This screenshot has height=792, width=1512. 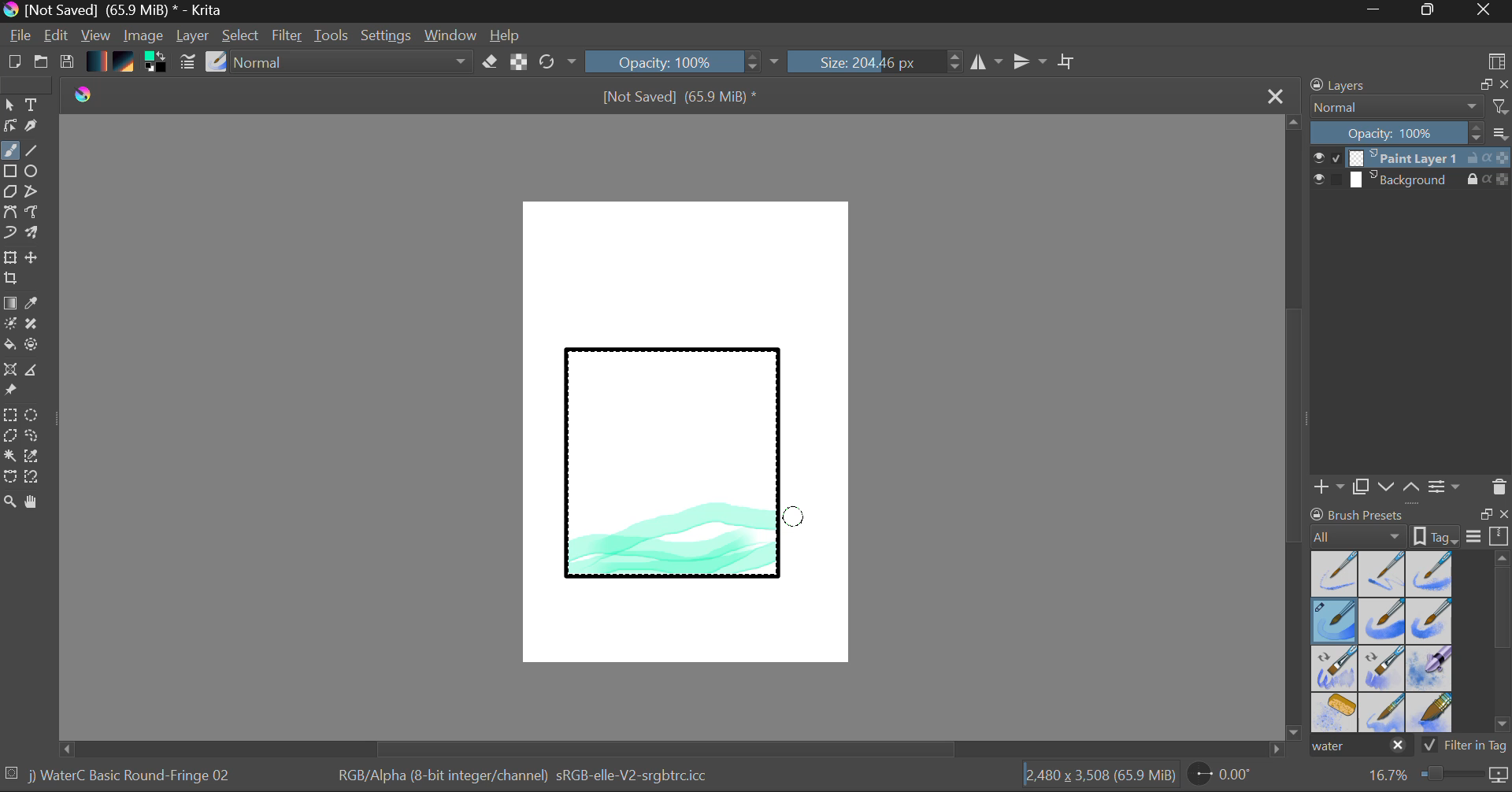 What do you see at coordinates (57, 37) in the screenshot?
I see `Edit` at bounding box center [57, 37].